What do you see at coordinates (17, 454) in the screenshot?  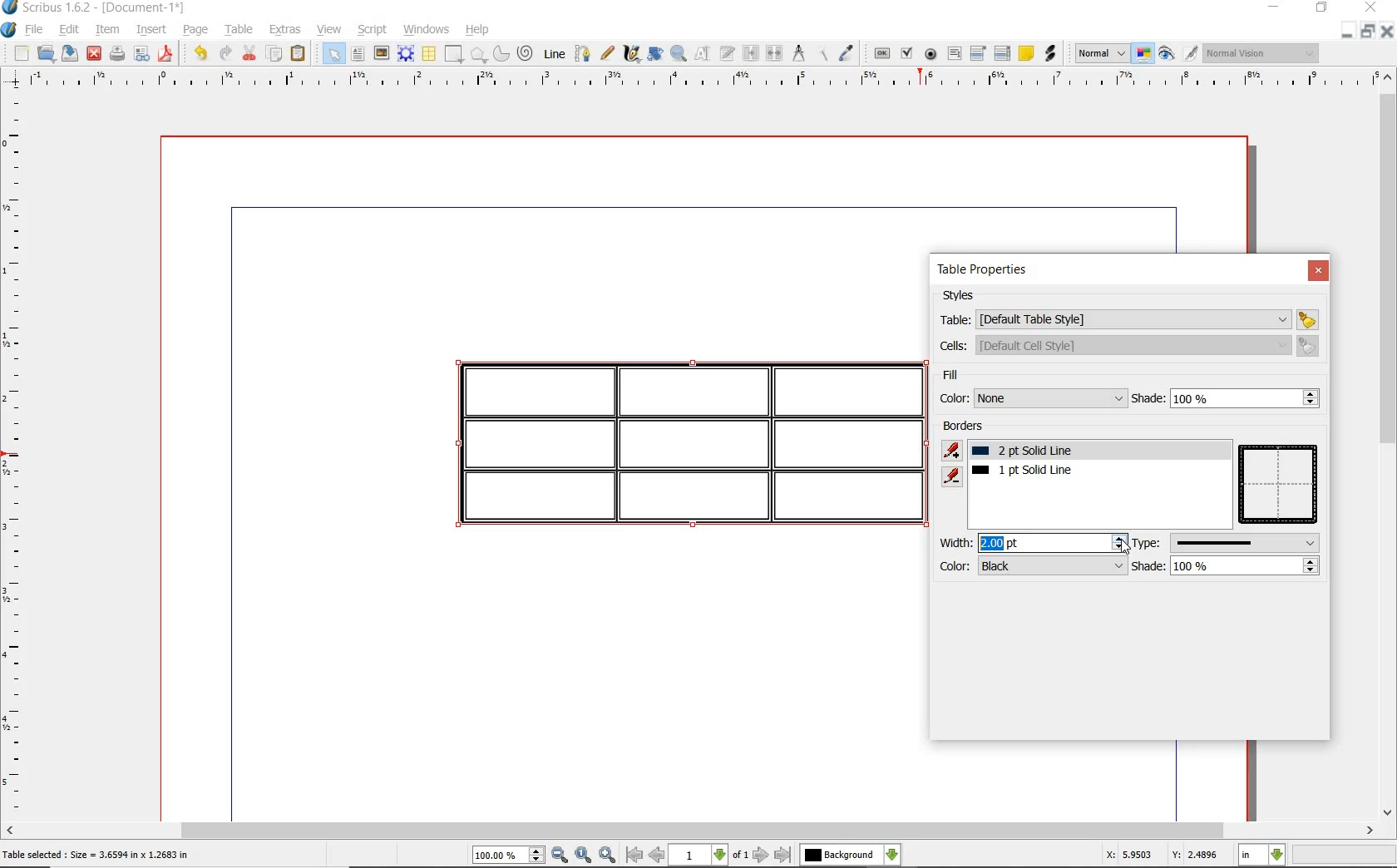 I see `ruler` at bounding box center [17, 454].